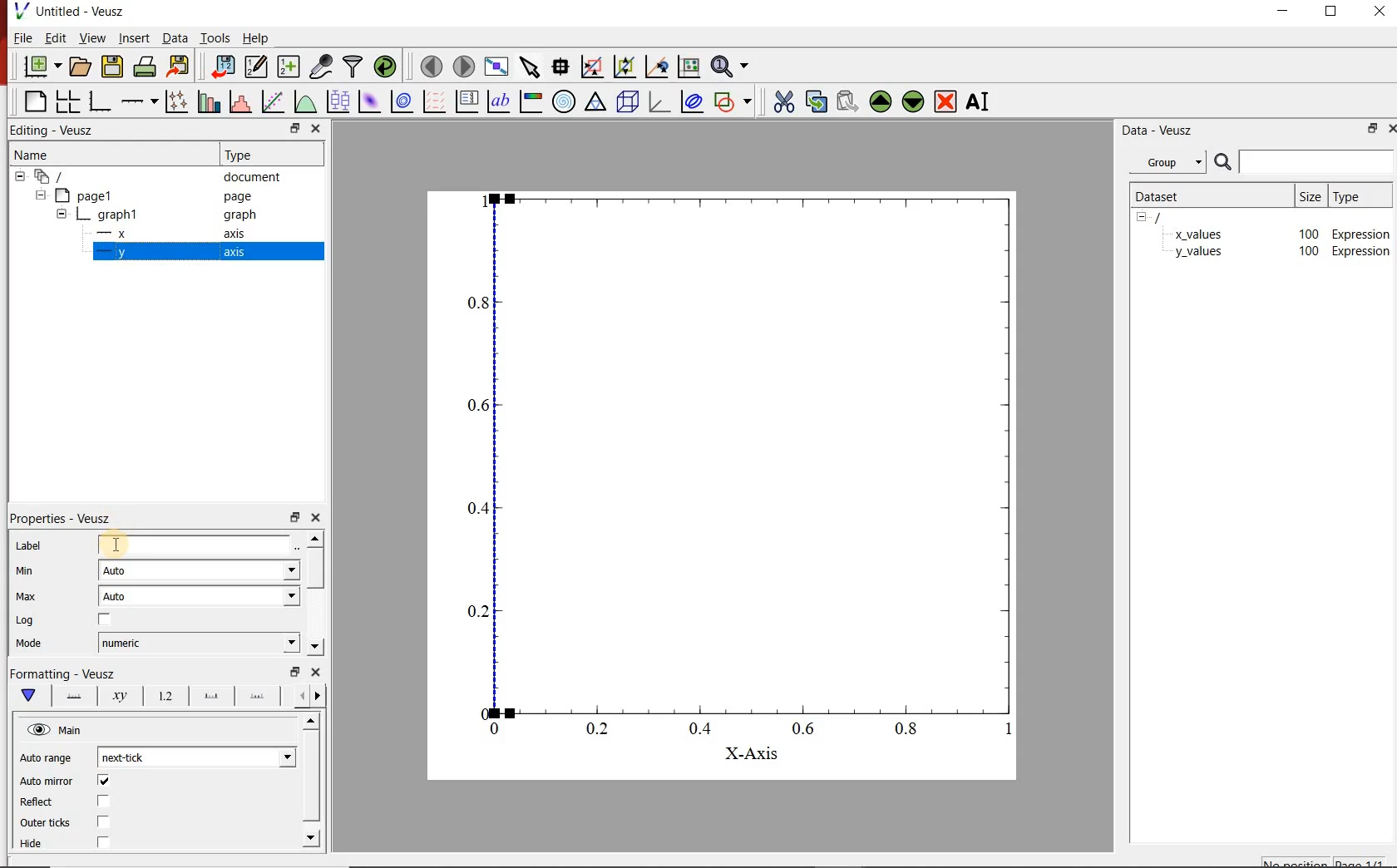  Describe the element at coordinates (105, 821) in the screenshot. I see `checkbox` at that location.